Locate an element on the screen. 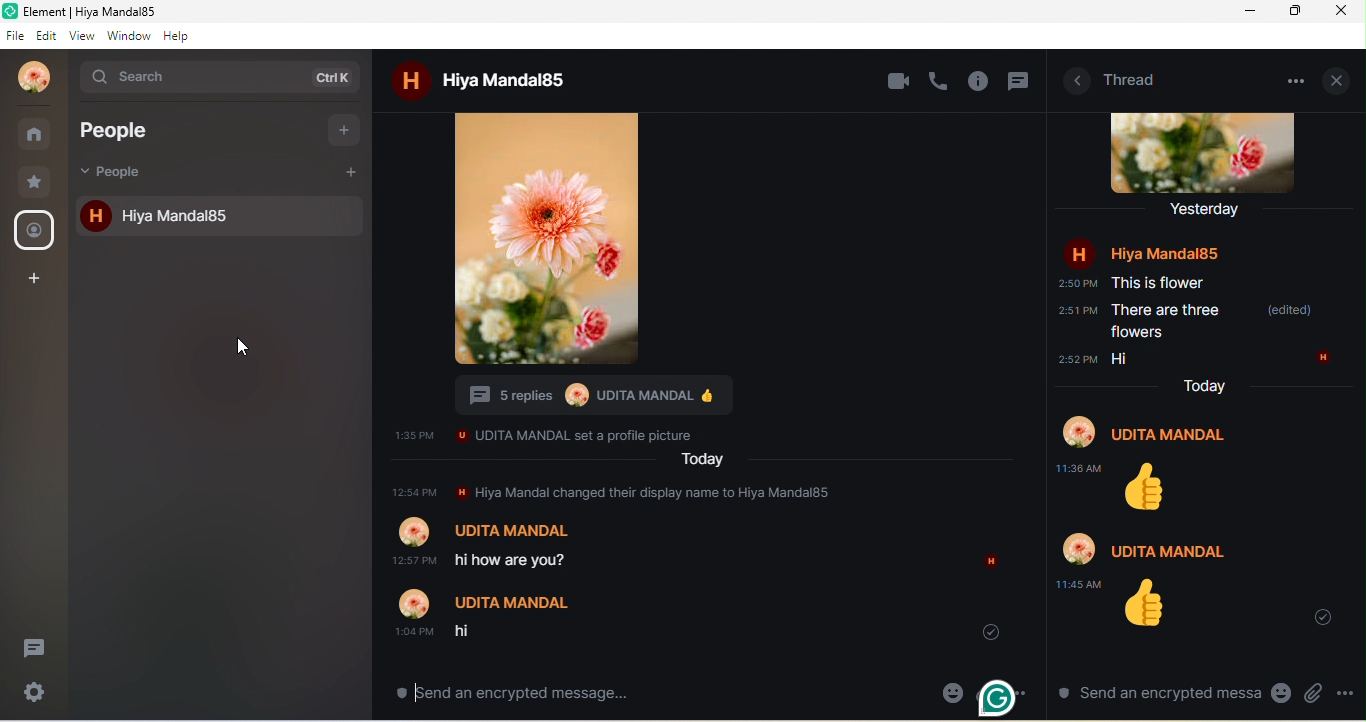 The width and height of the screenshot is (1366, 722). Profile picture is located at coordinates (415, 603).